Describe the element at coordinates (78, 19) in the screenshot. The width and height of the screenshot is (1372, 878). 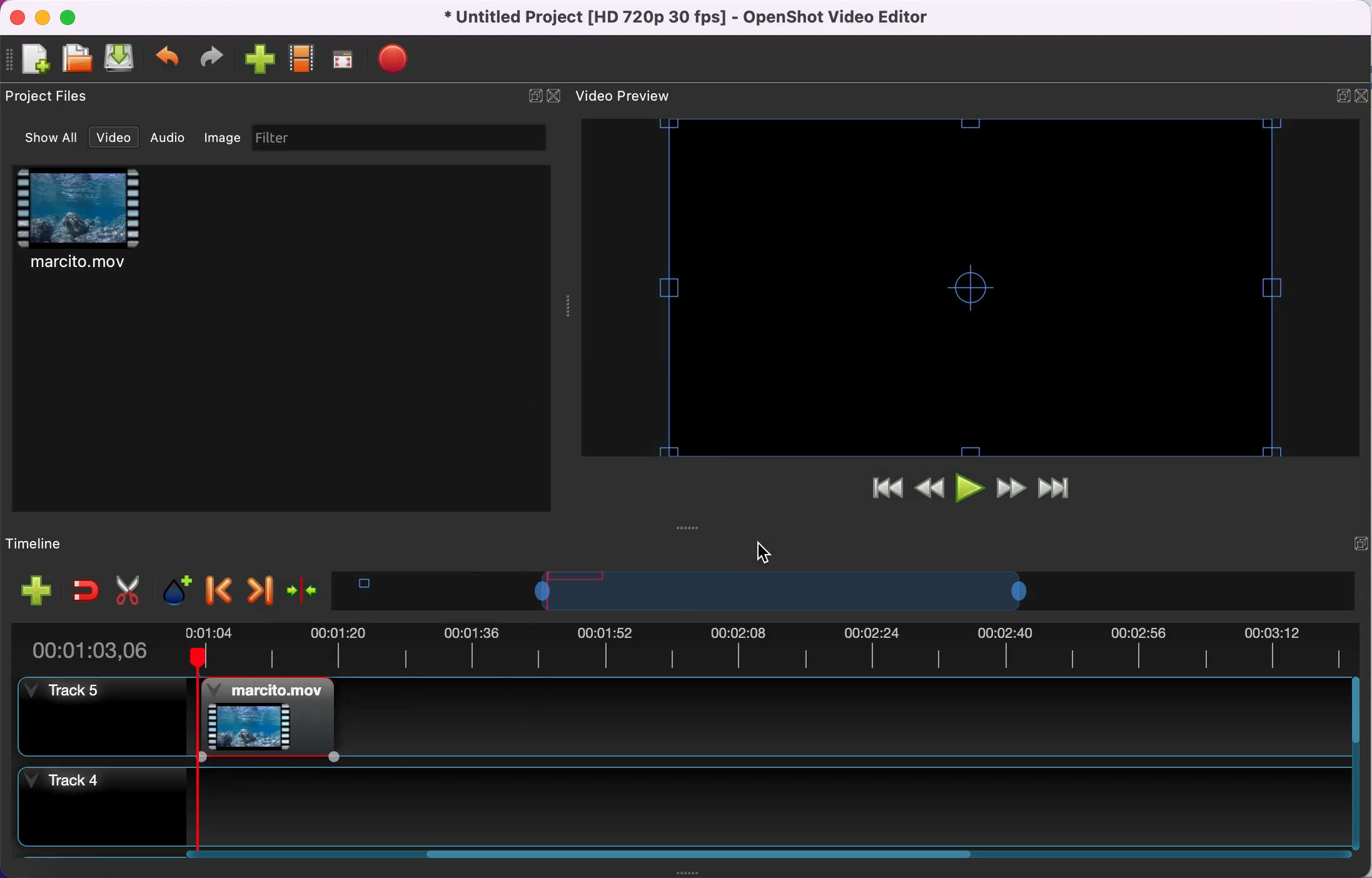
I see `maximize` at that location.